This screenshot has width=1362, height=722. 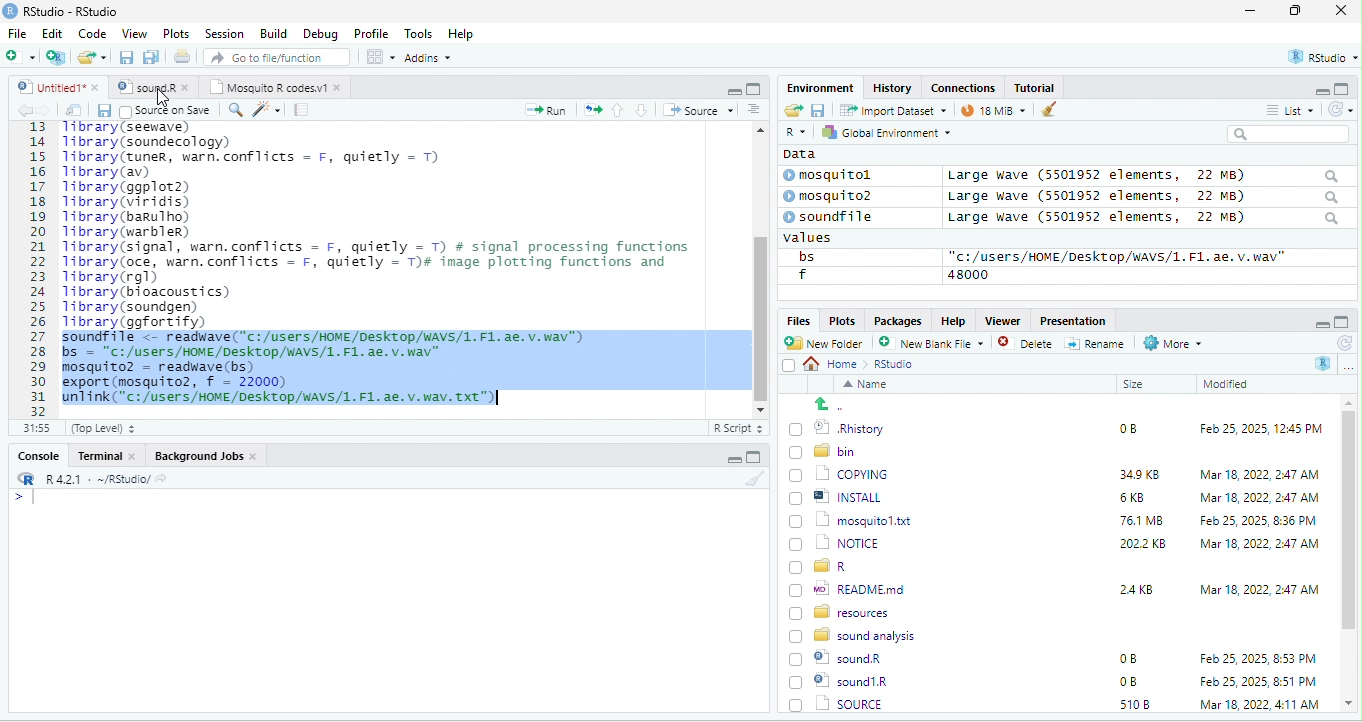 What do you see at coordinates (1337, 109) in the screenshot?
I see `refresh` at bounding box center [1337, 109].